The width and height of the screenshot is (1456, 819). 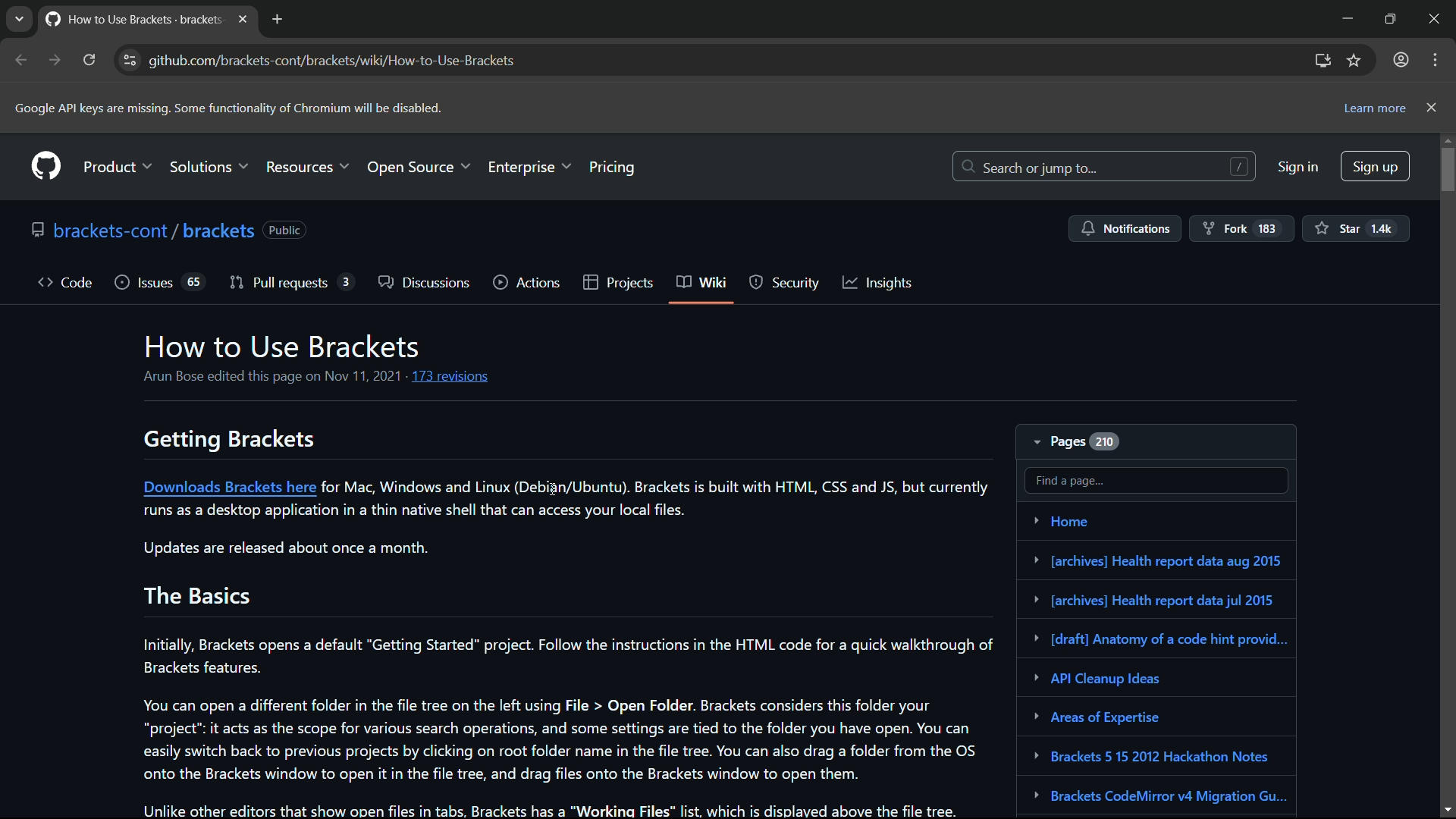 I want to click on learn more, so click(x=1373, y=110).